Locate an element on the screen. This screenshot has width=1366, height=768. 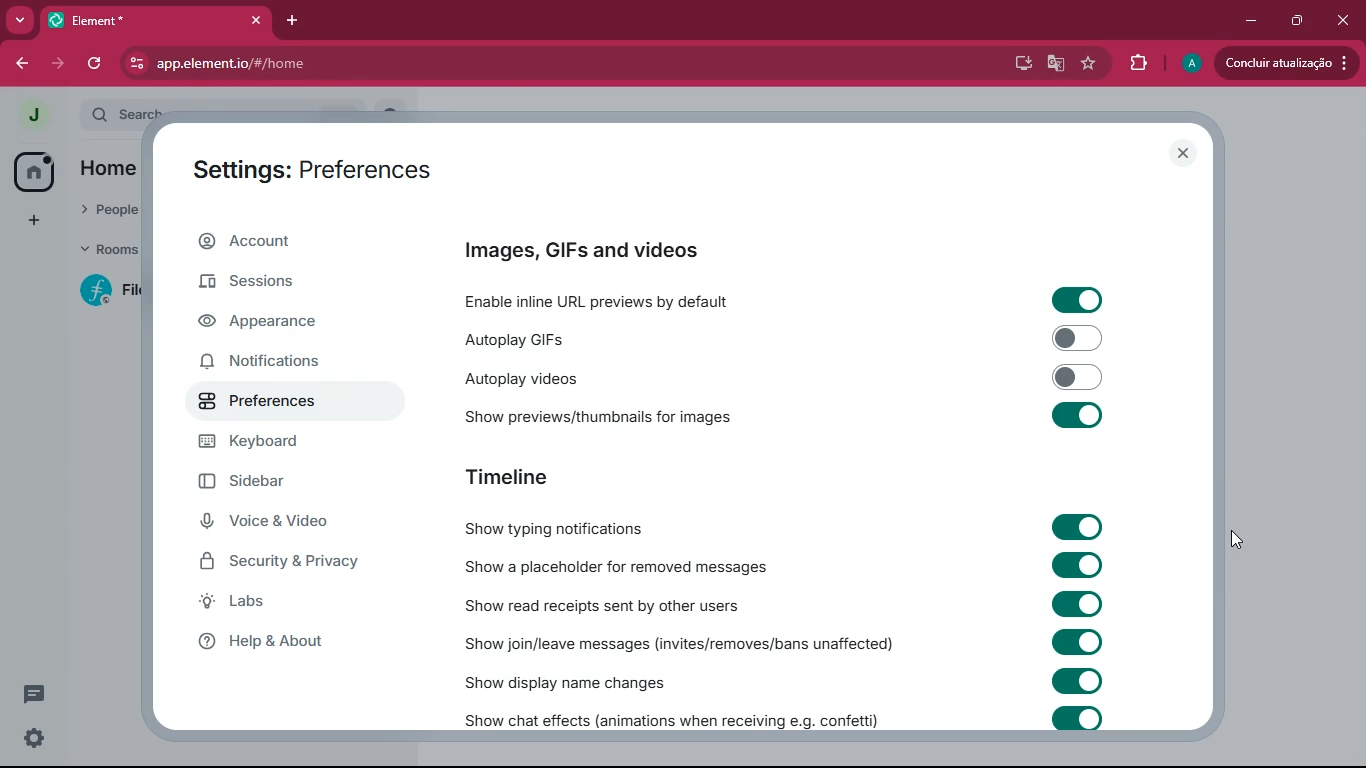
close tab is located at coordinates (256, 21).